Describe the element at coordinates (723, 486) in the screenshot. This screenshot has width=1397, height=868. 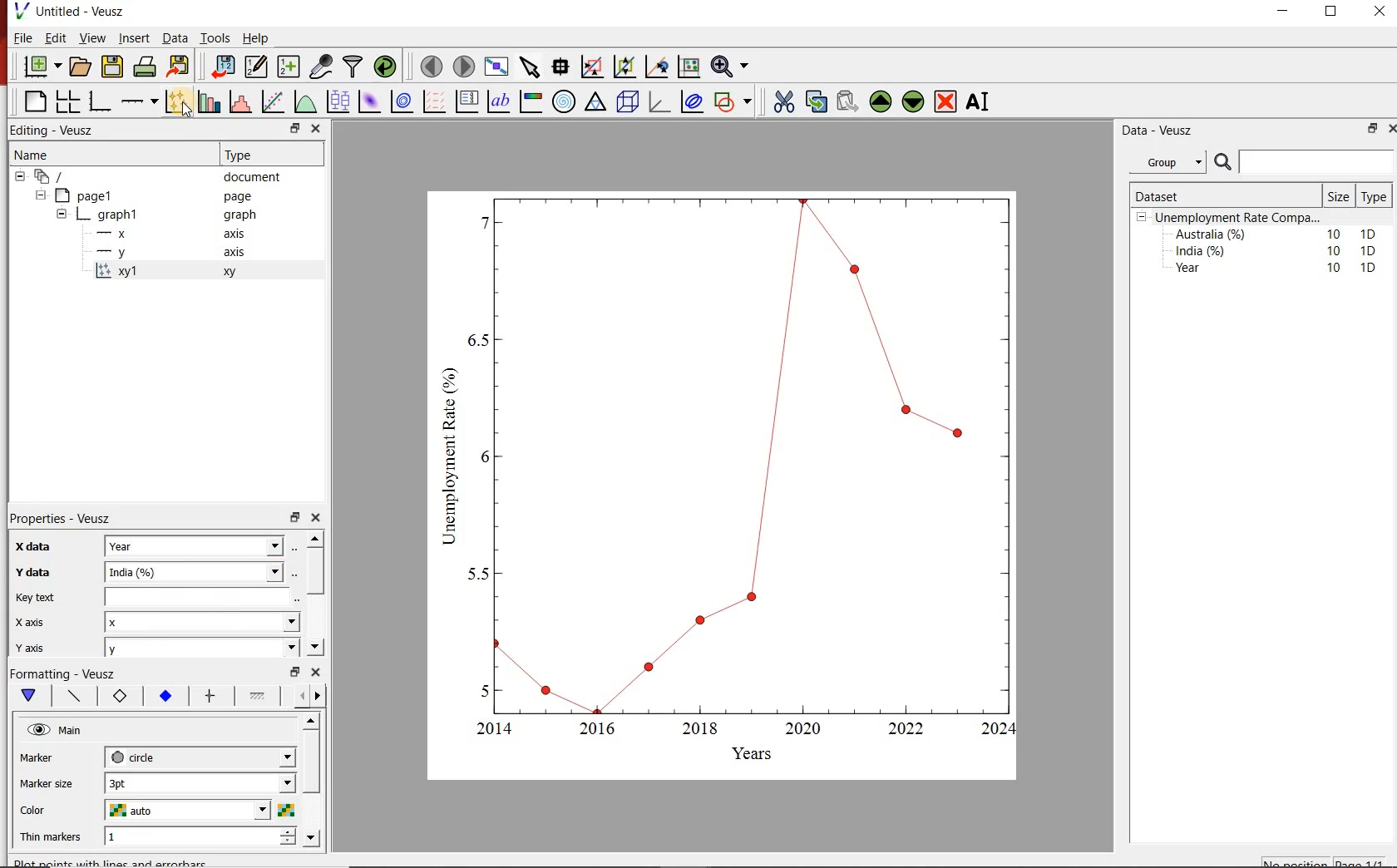
I see `graph chart` at that location.